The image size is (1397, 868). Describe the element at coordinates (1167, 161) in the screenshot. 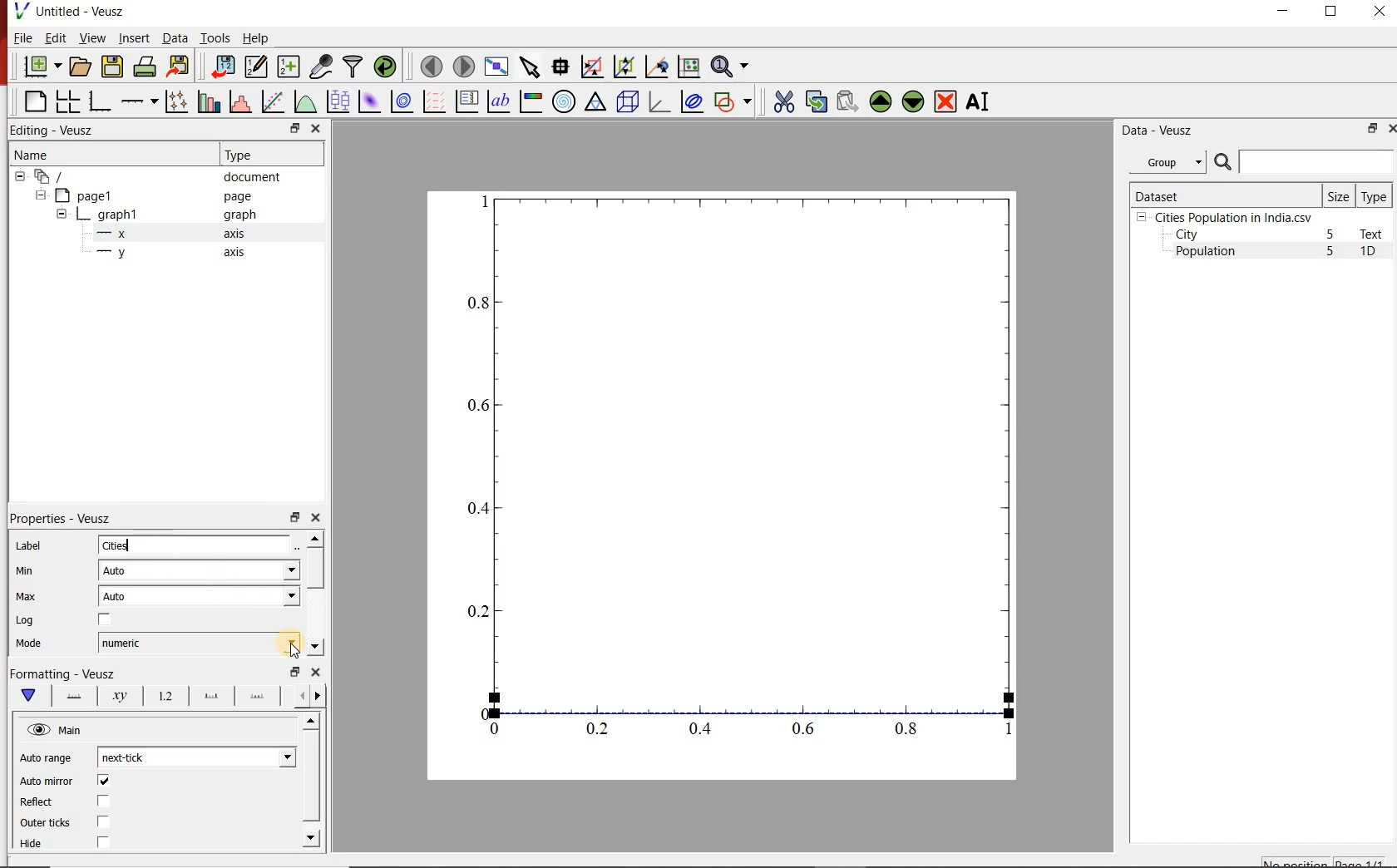

I see `Group datasets with property given` at that location.